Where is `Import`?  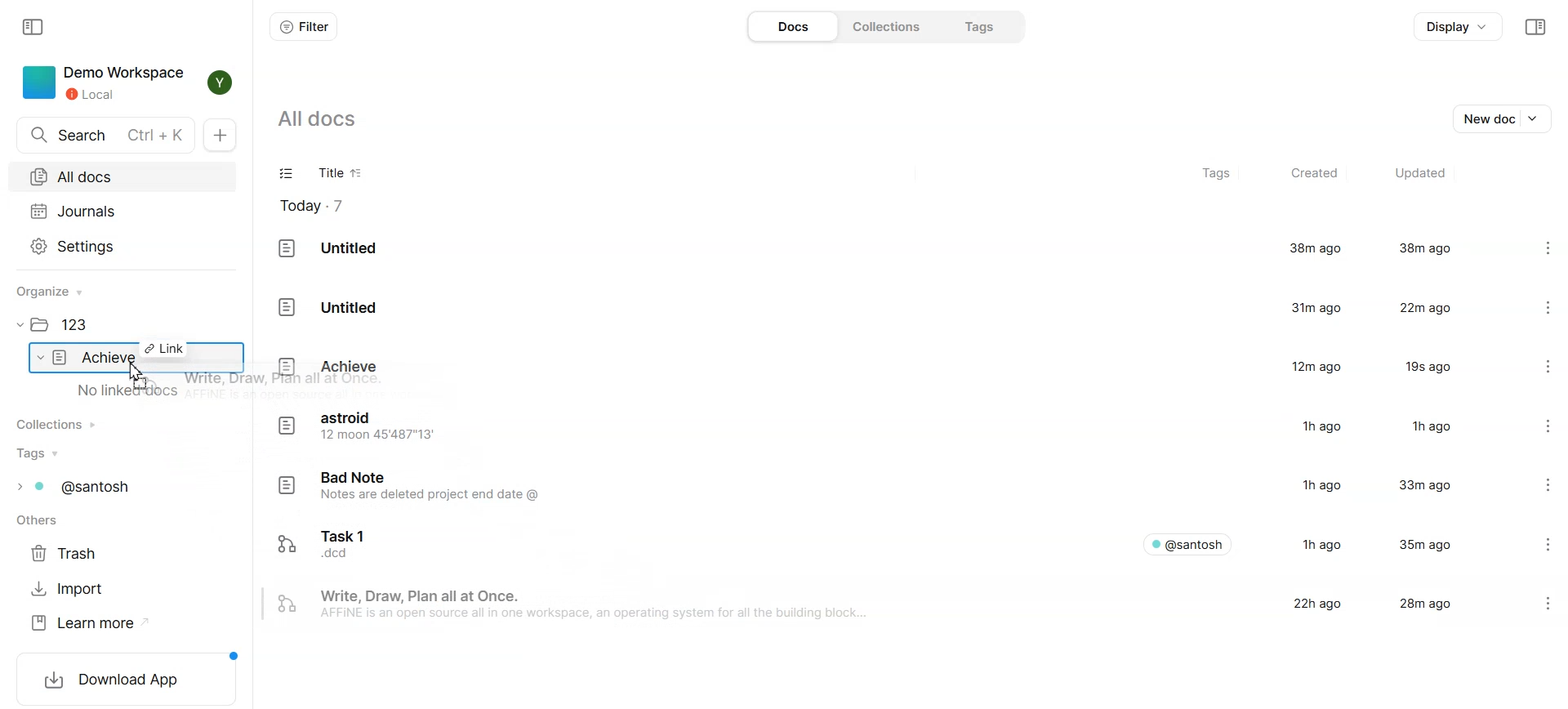
Import is located at coordinates (69, 589).